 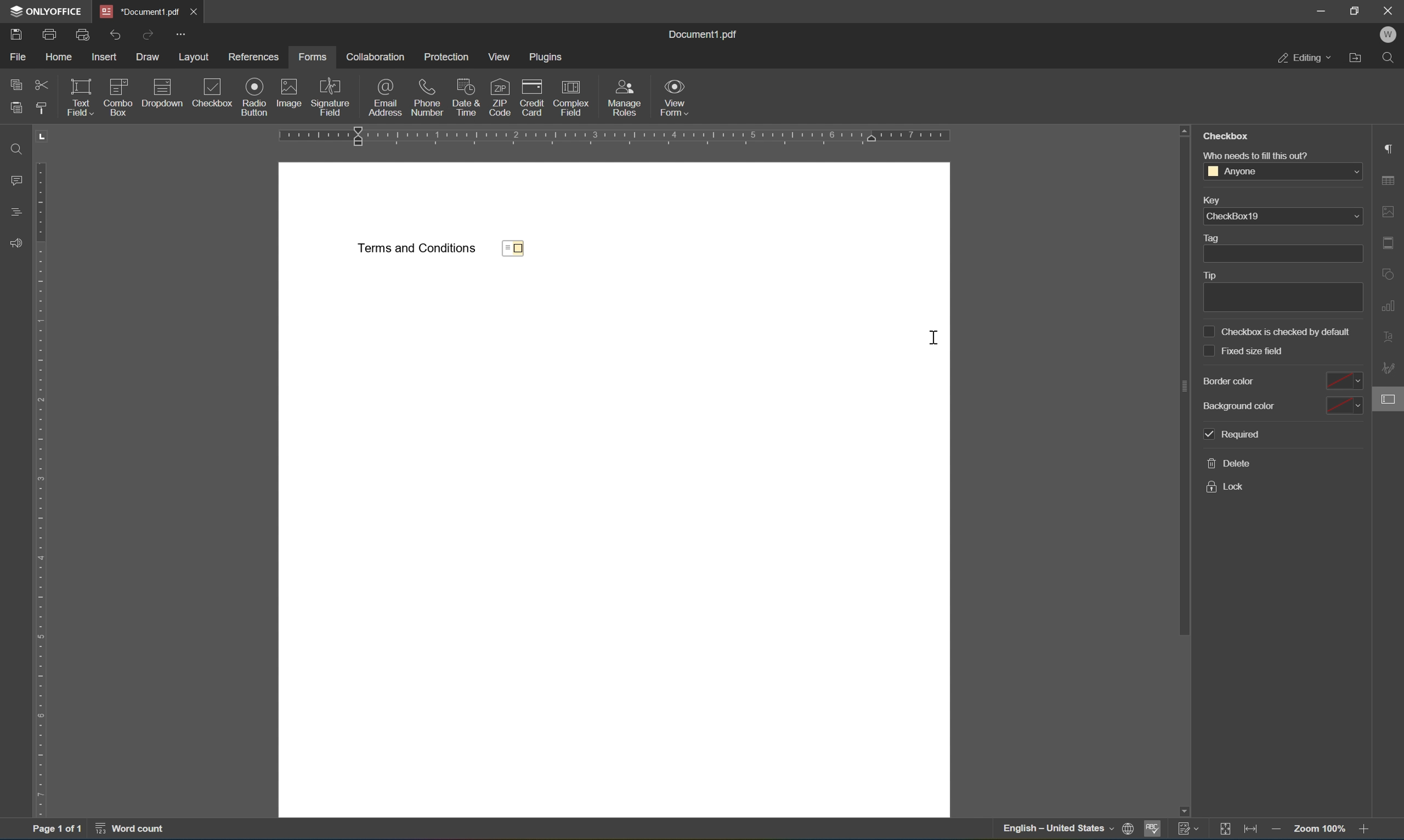 I want to click on required, so click(x=1233, y=436).